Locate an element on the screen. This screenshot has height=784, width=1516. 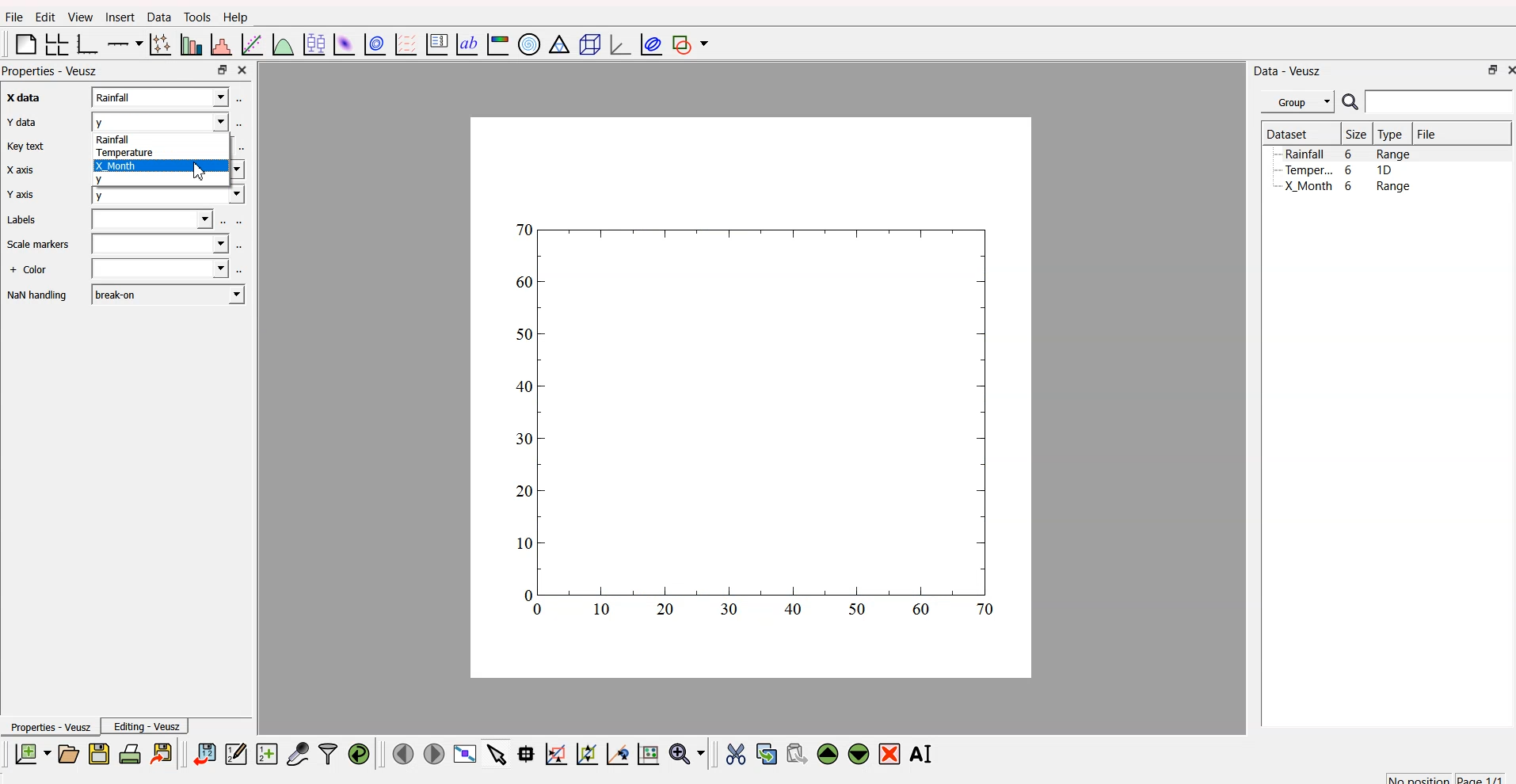
no position page 1/1 is located at coordinates (1445, 775).